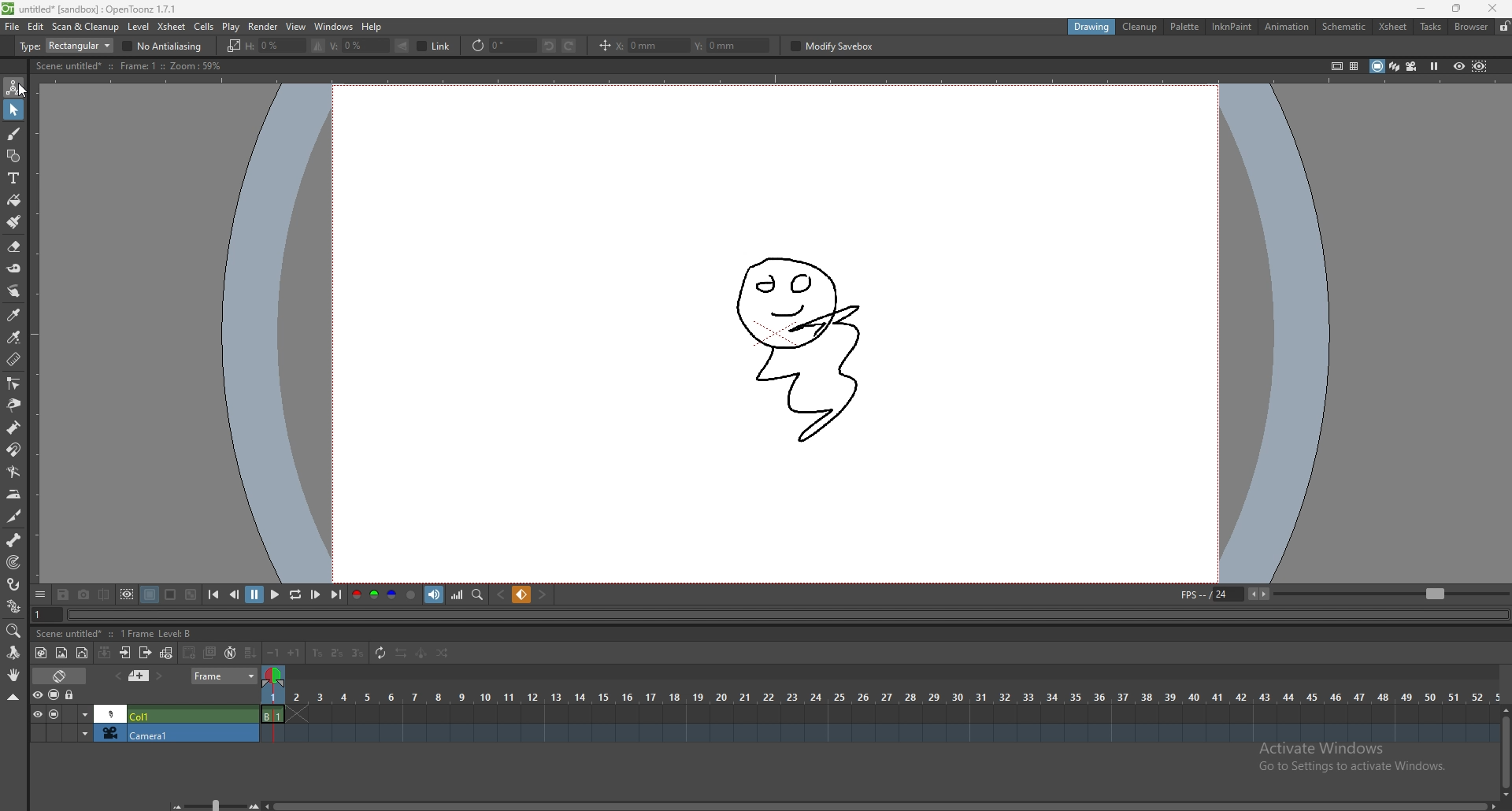 This screenshot has width=1512, height=811. What do you see at coordinates (1232, 27) in the screenshot?
I see `inknpaint` at bounding box center [1232, 27].